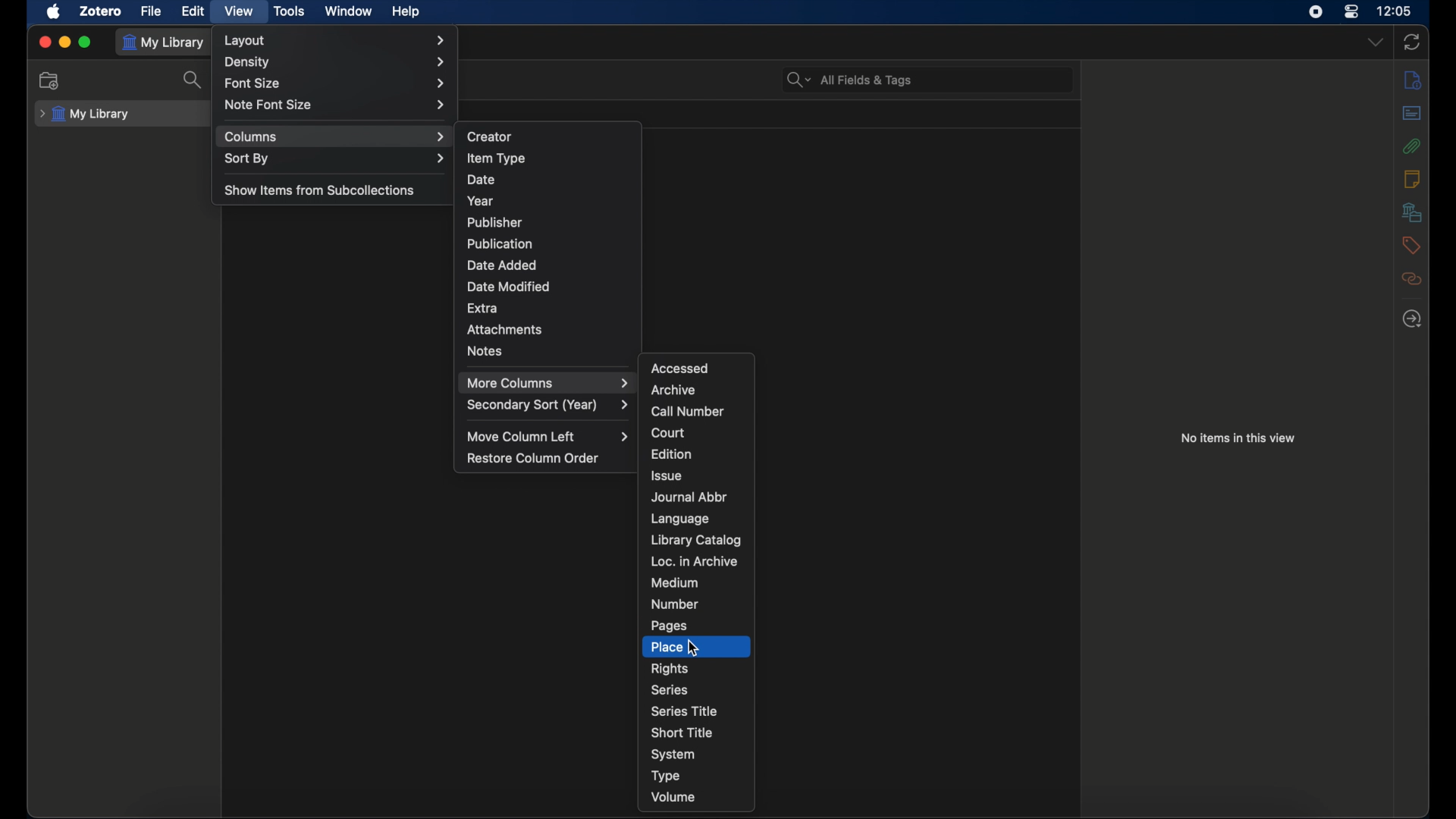 The width and height of the screenshot is (1456, 819). What do you see at coordinates (334, 62) in the screenshot?
I see `density` at bounding box center [334, 62].